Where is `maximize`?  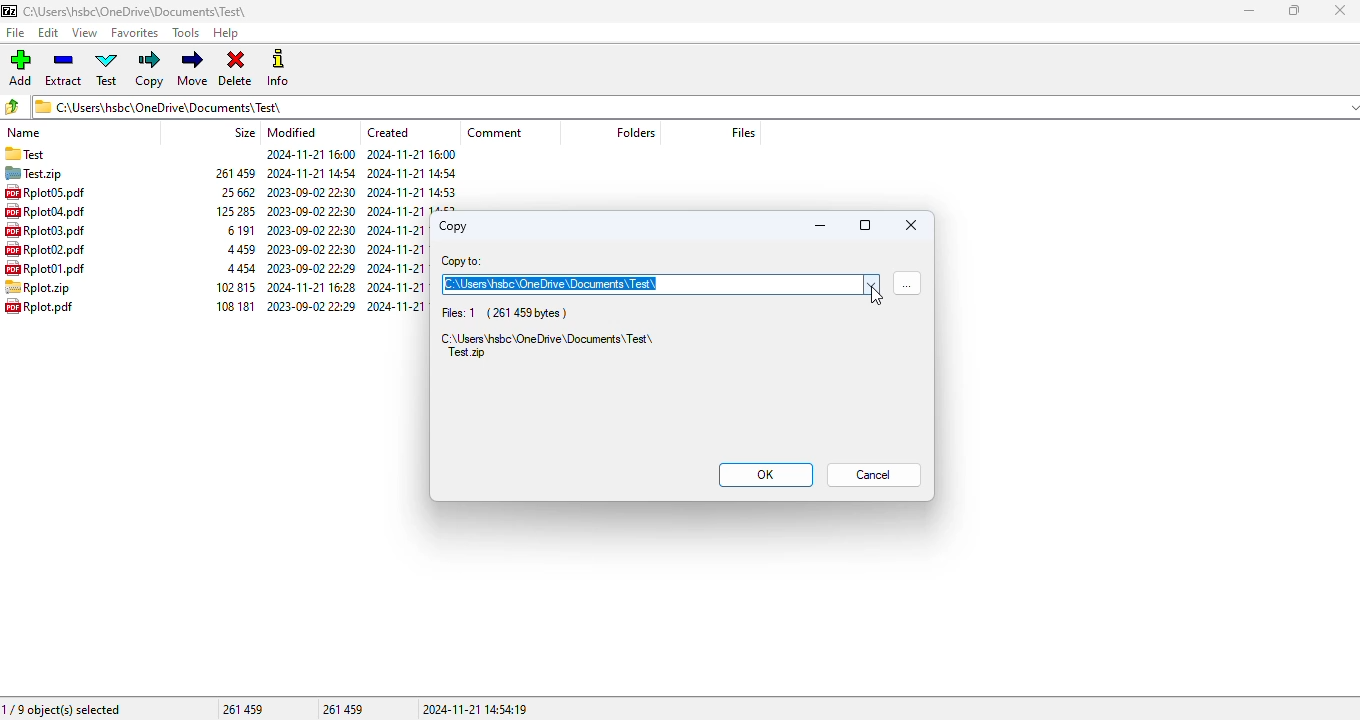
maximize is located at coordinates (865, 225).